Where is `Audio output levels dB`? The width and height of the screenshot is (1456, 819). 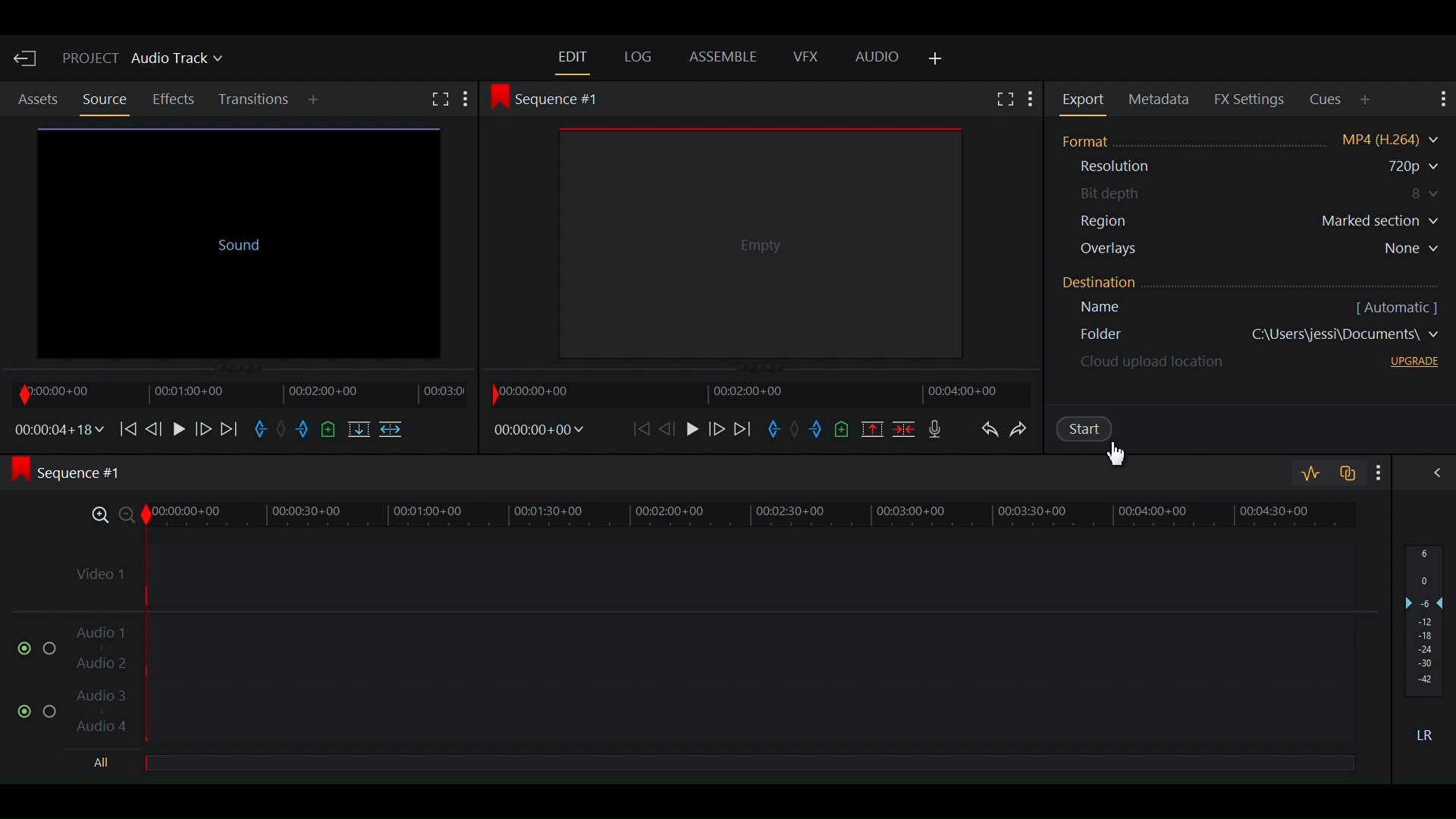
Audio output levels dB is located at coordinates (1425, 623).